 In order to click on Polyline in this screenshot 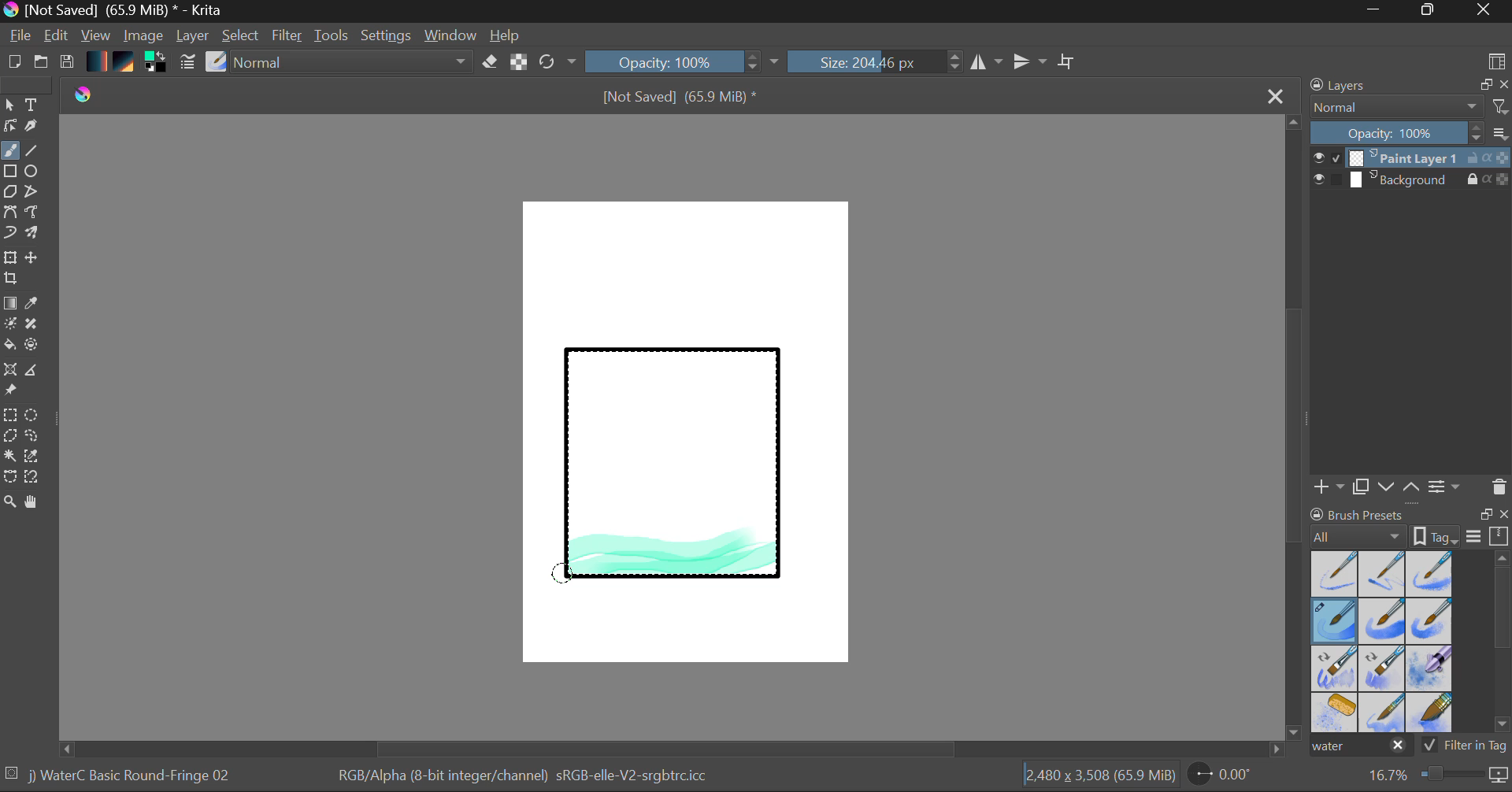, I will do `click(33, 193)`.